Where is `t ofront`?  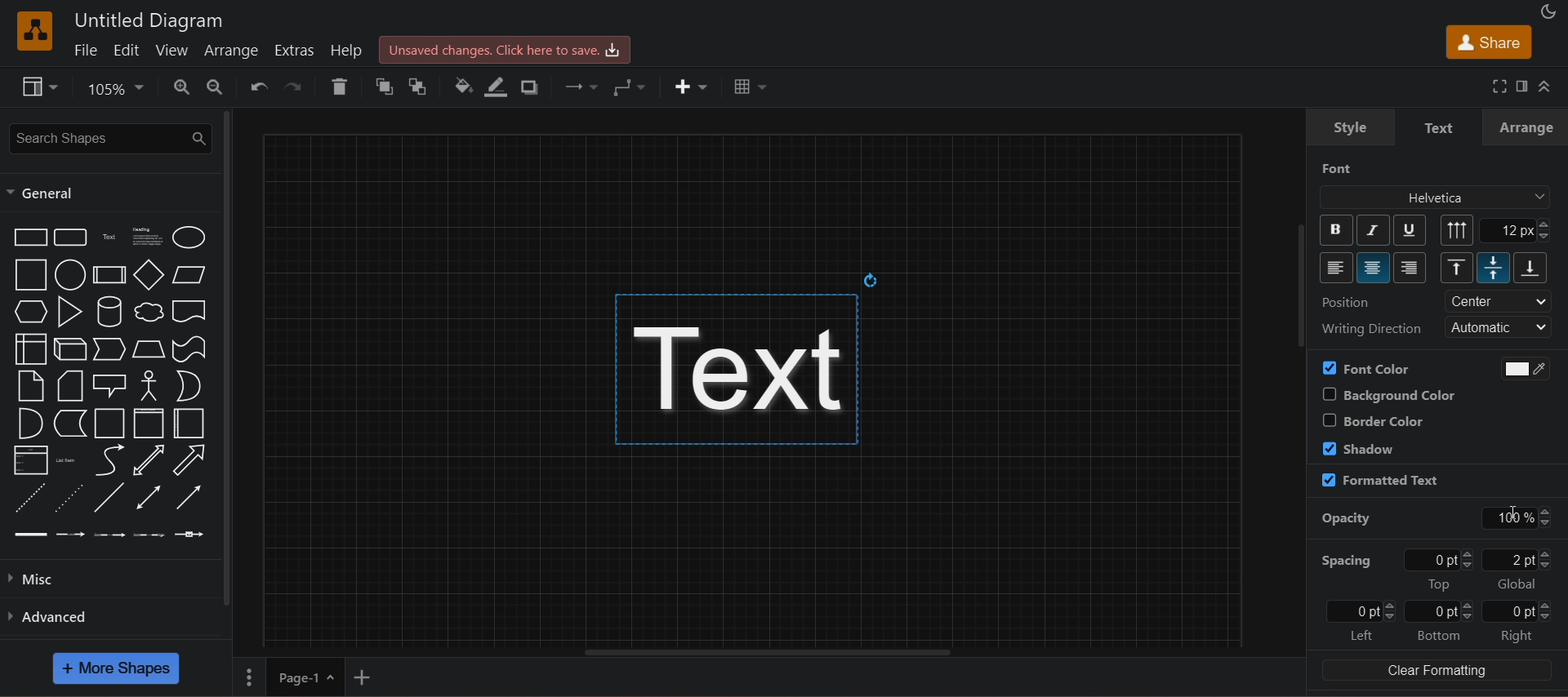 t ofront is located at coordinates (422, 85).